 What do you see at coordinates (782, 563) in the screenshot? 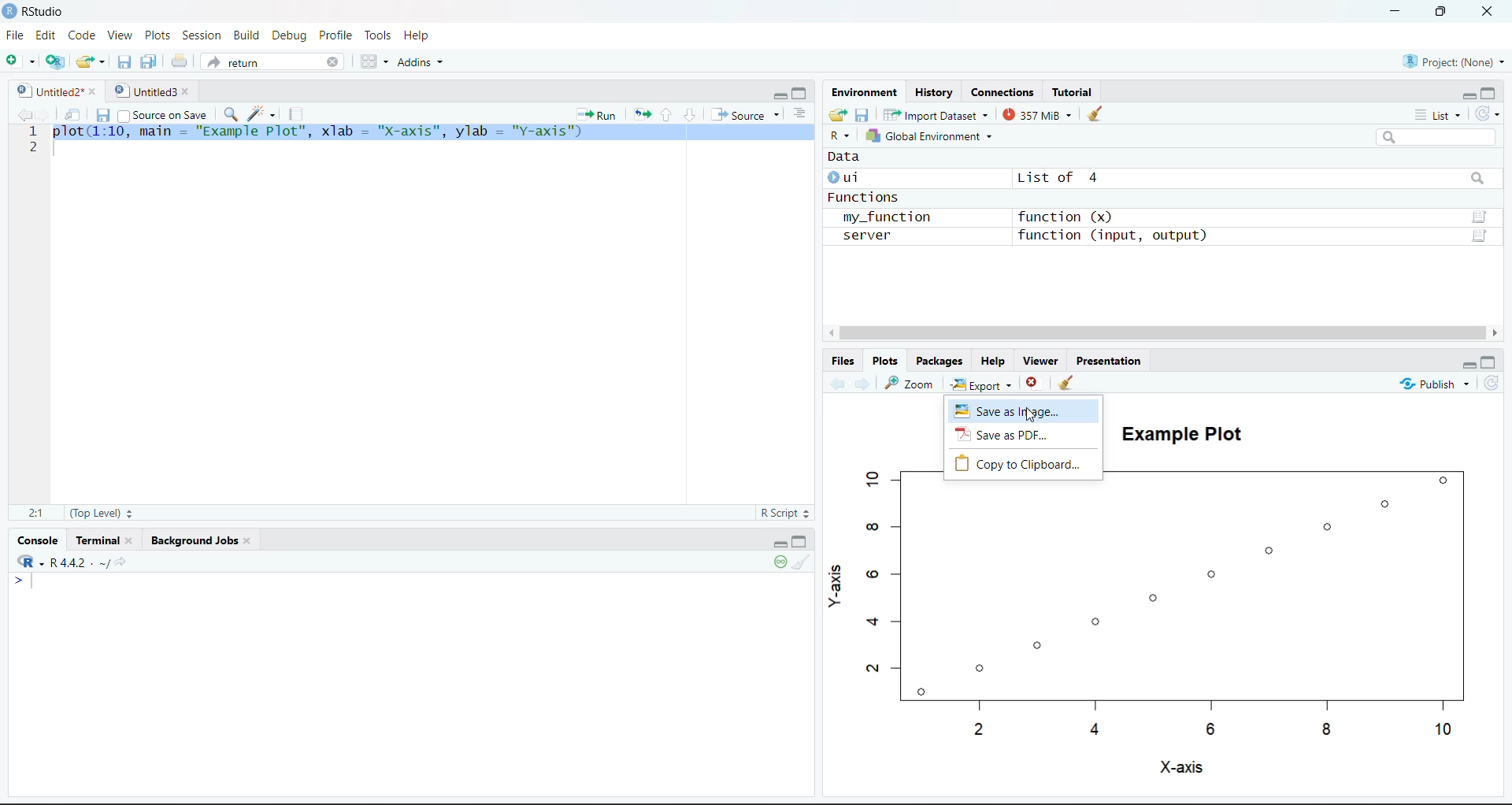
I see `Session suspend timeout` at bounding box center [782, 563].